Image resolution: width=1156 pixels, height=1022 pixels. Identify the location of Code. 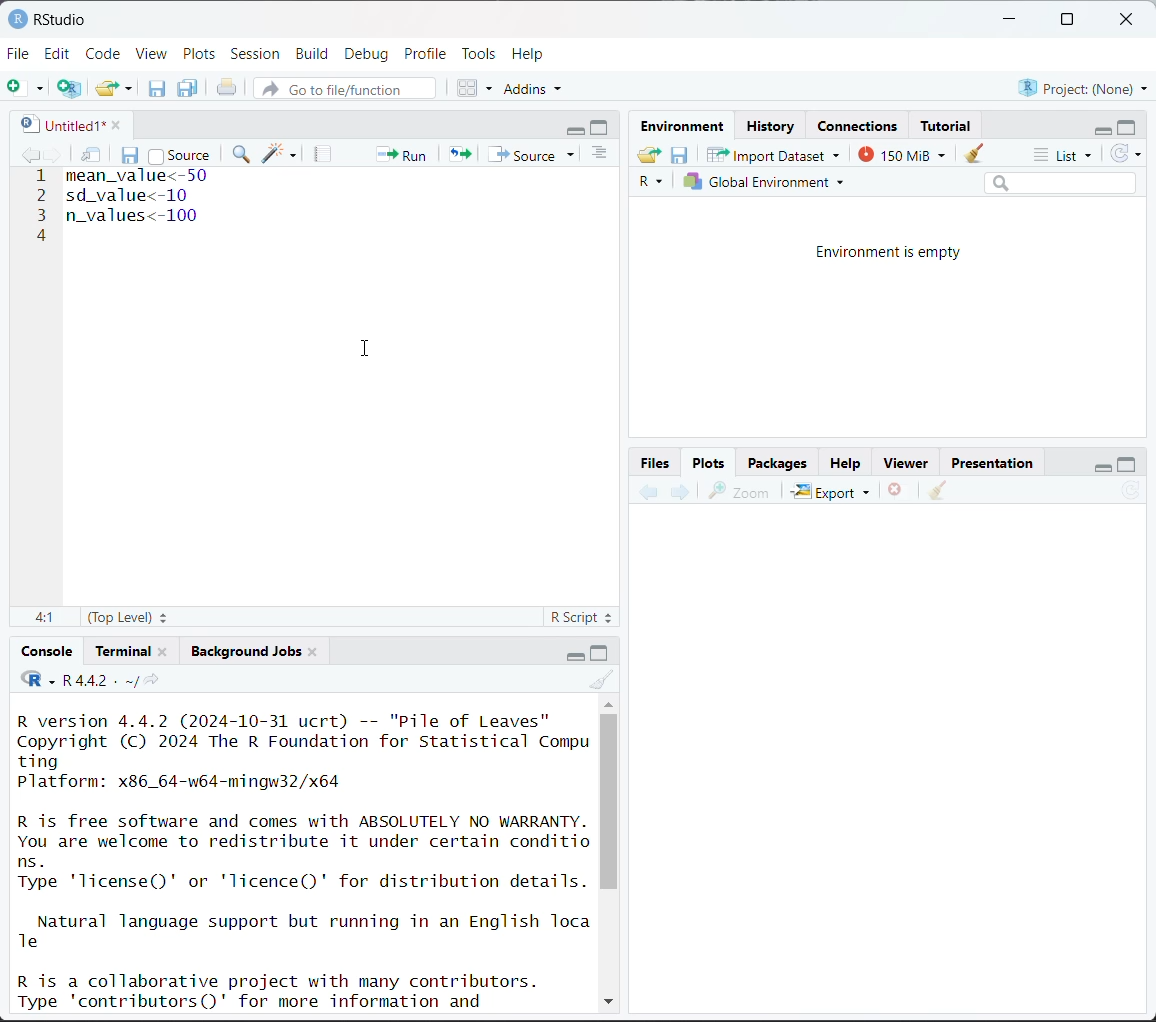
(105, 52).